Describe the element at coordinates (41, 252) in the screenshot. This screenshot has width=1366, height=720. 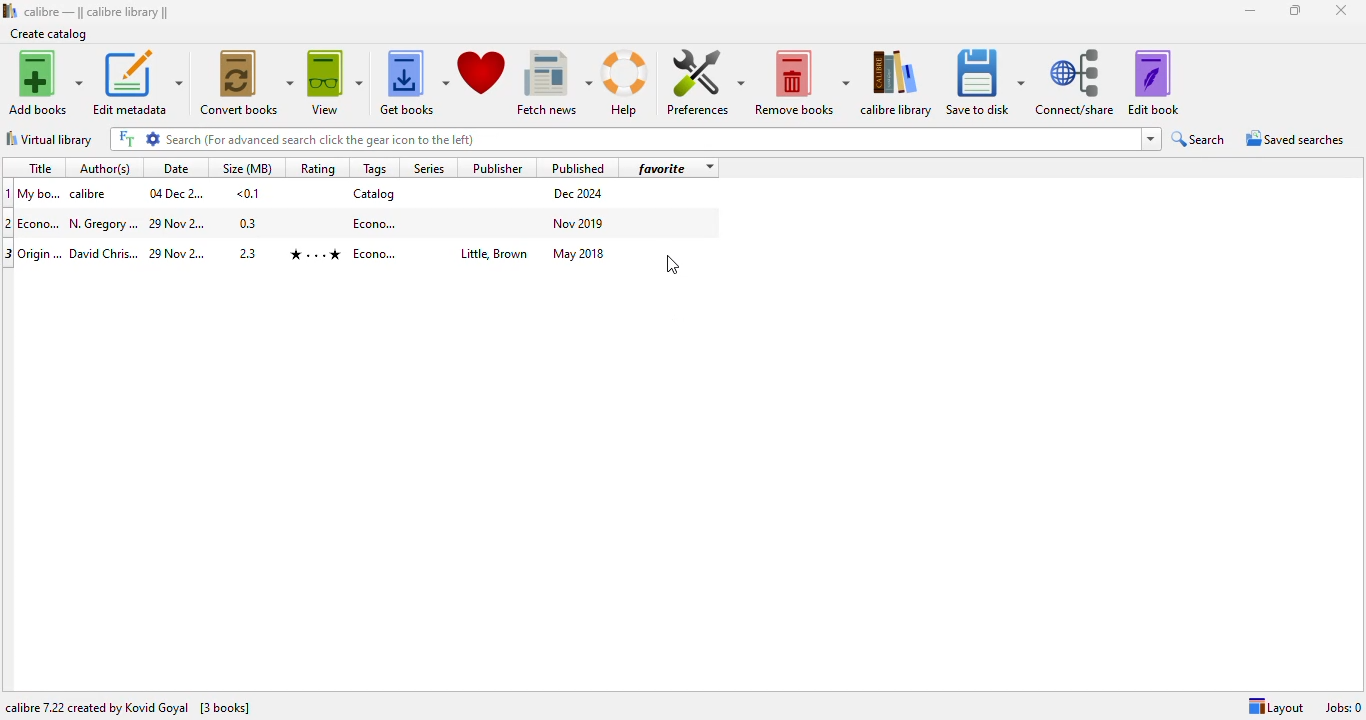
I see `title` at that location.